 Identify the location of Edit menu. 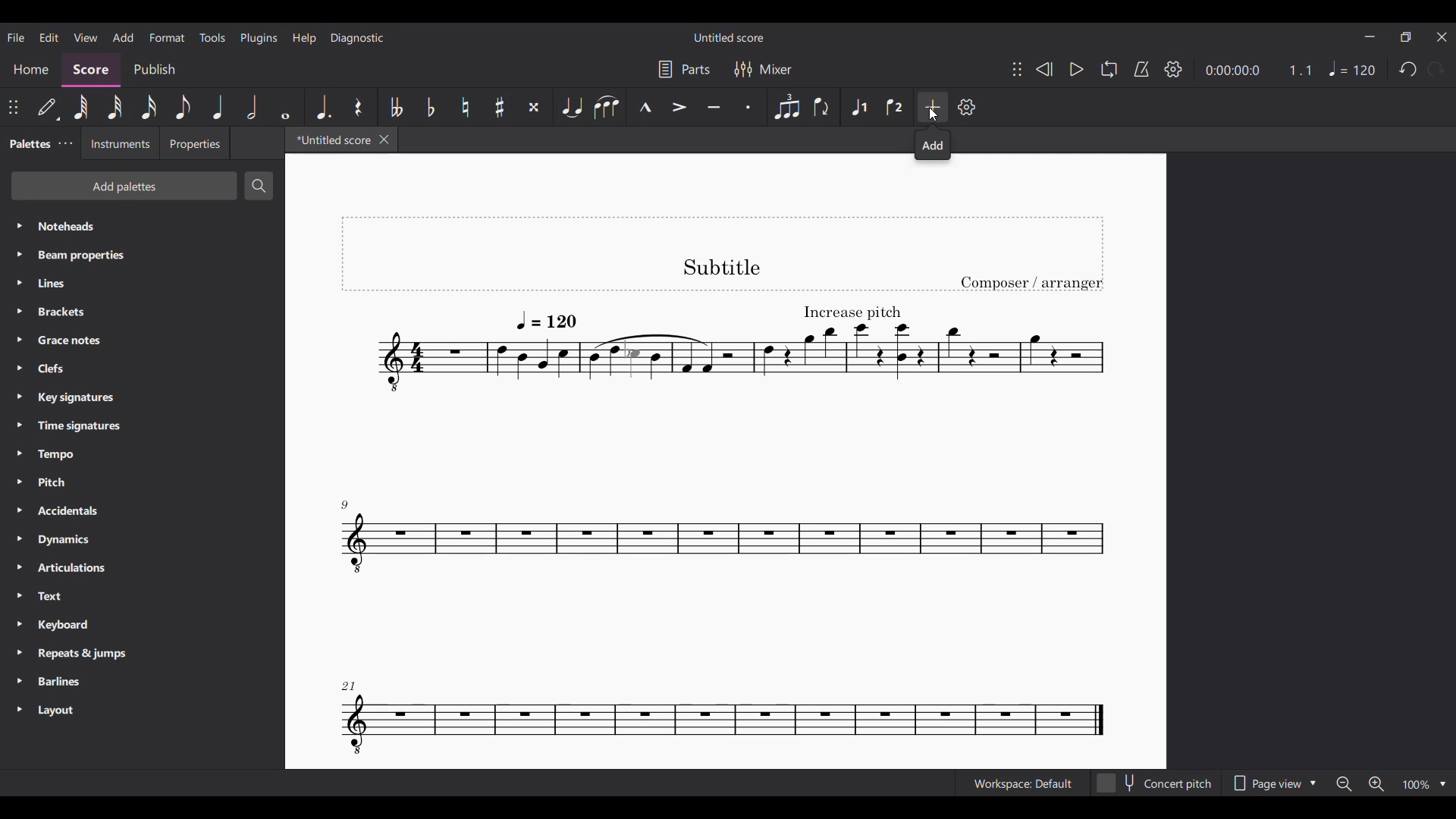
(49, 37).